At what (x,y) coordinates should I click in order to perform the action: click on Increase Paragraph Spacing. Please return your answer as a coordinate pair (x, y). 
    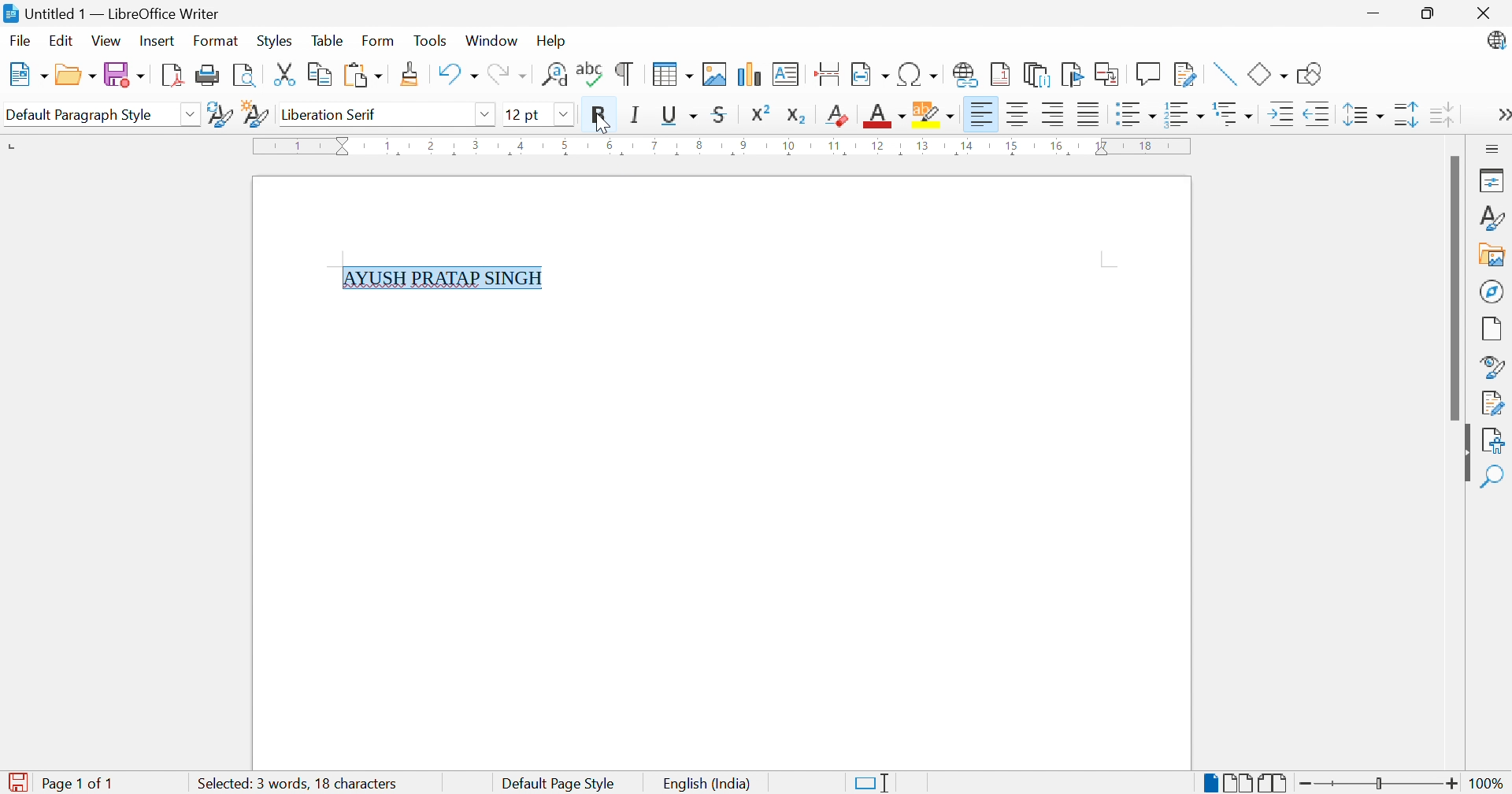
    Looking at the image, I should click on (1405, 113).